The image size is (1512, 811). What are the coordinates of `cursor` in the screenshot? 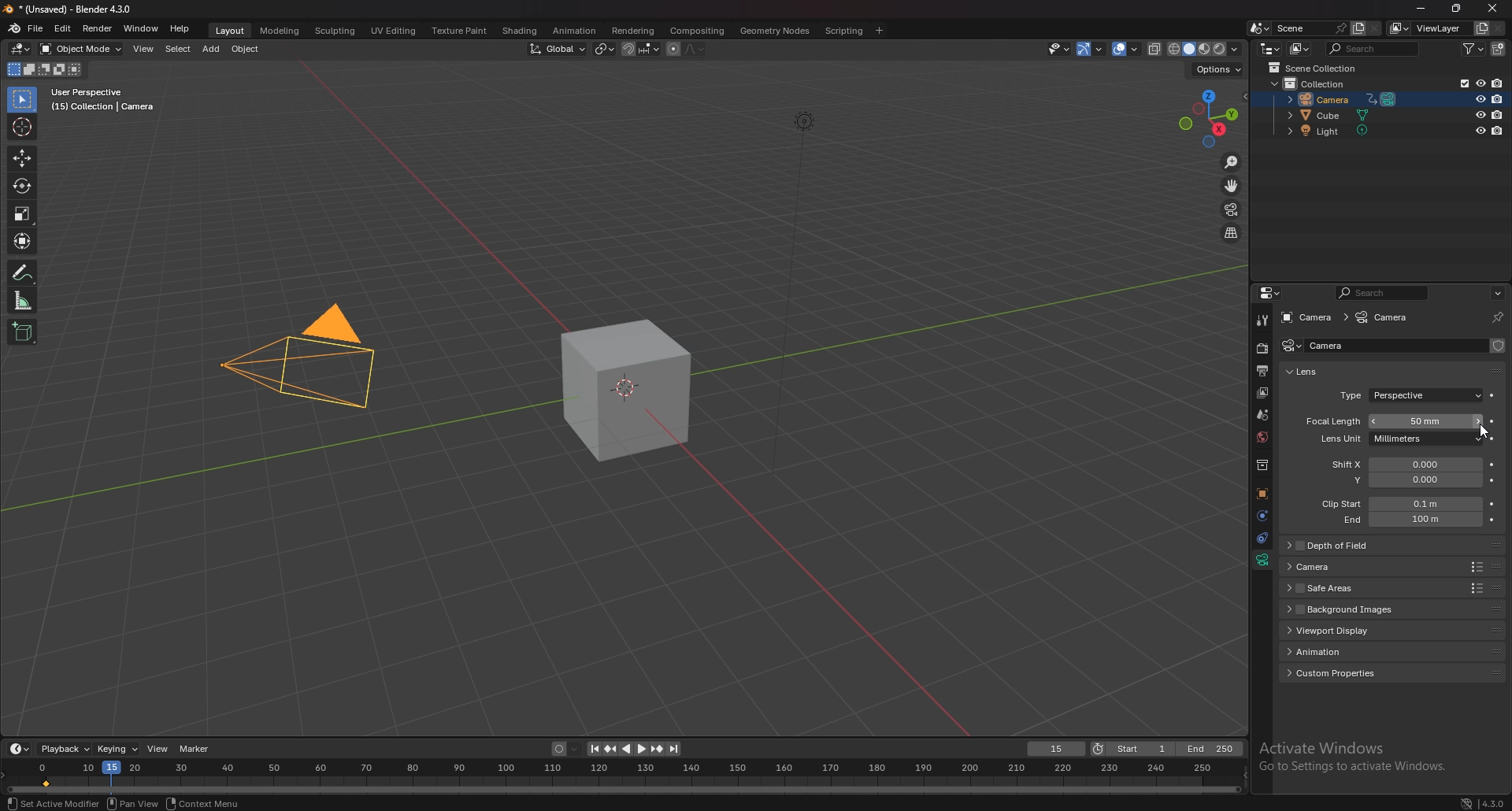 It's located at (24, 126).